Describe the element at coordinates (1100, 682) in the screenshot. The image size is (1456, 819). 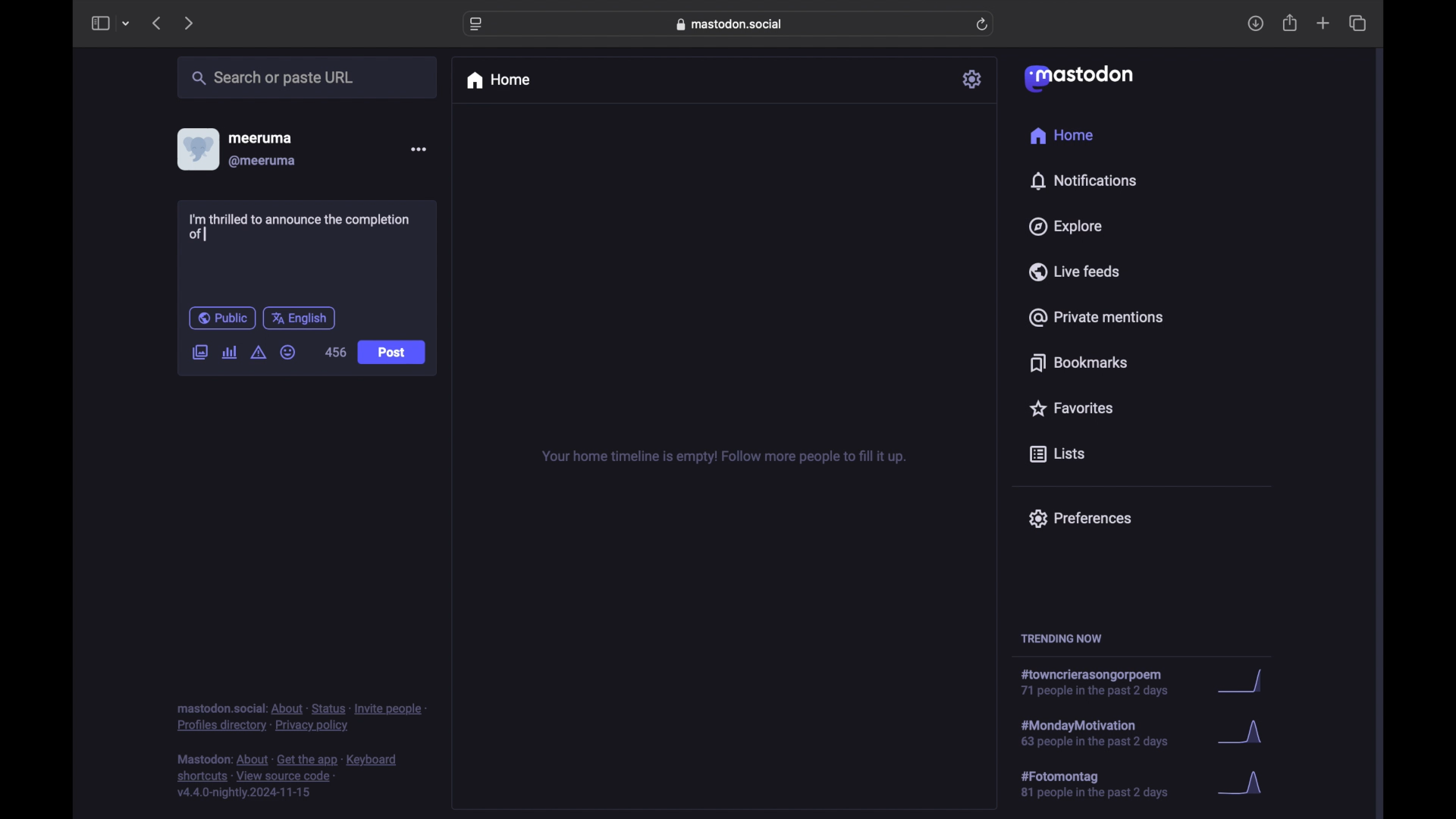
I see `hashtag trend` at that location.